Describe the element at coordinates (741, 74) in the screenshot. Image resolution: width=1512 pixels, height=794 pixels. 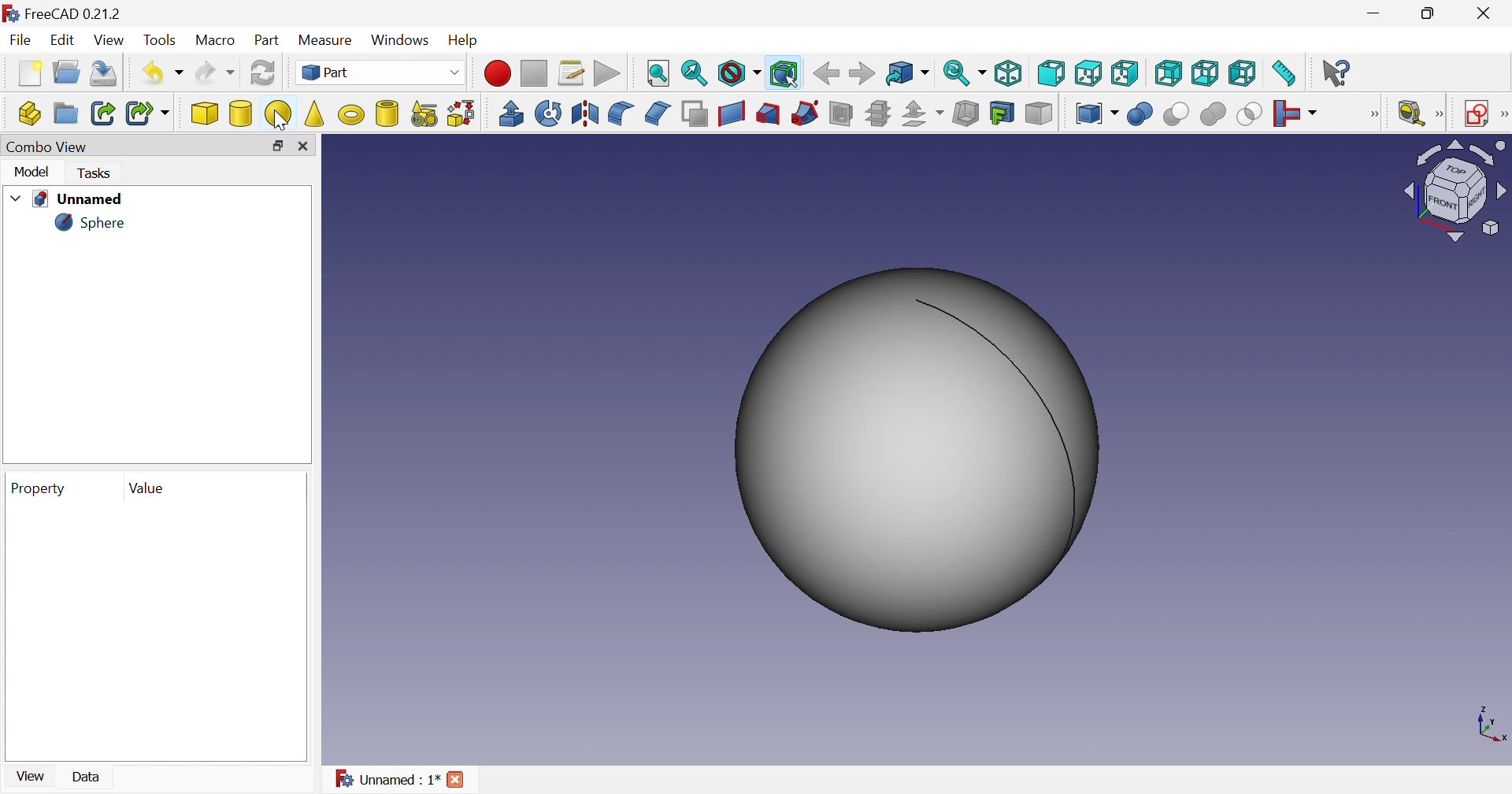
I see `Draw style` at that location.